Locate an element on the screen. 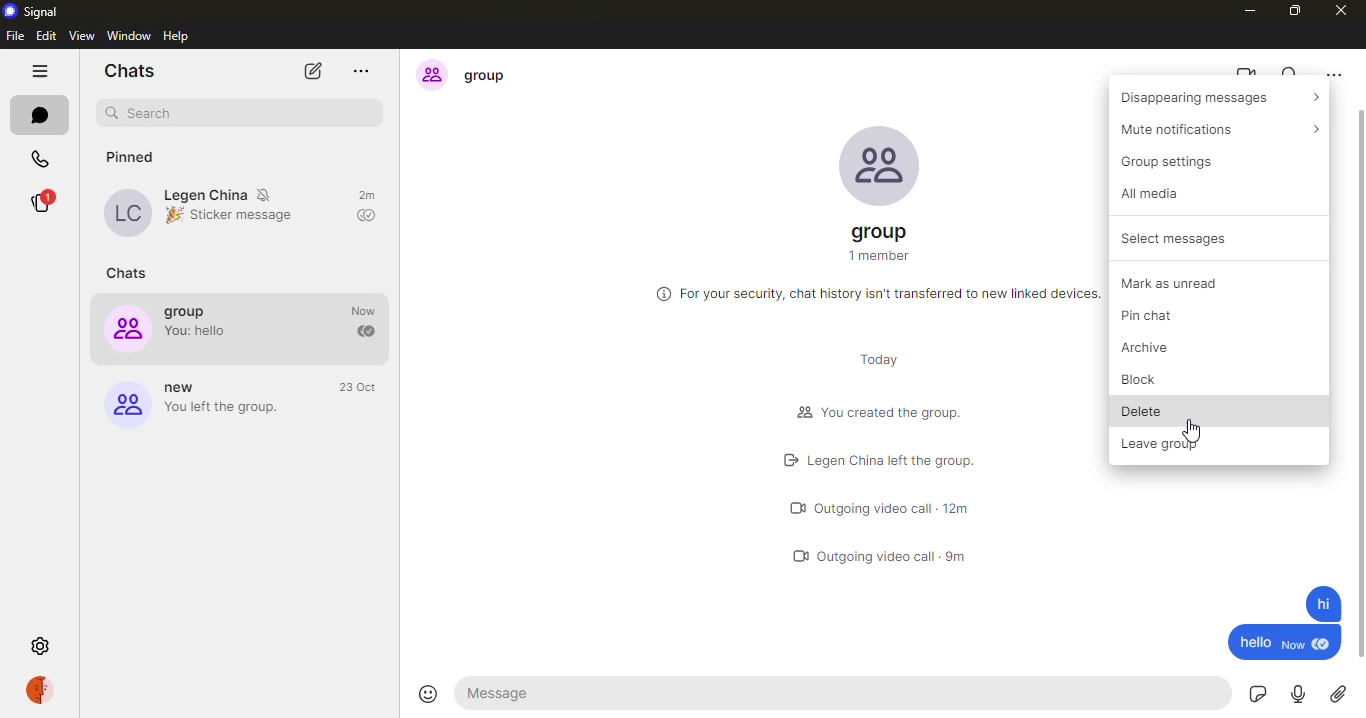  group is located at coordinates (881, 230).